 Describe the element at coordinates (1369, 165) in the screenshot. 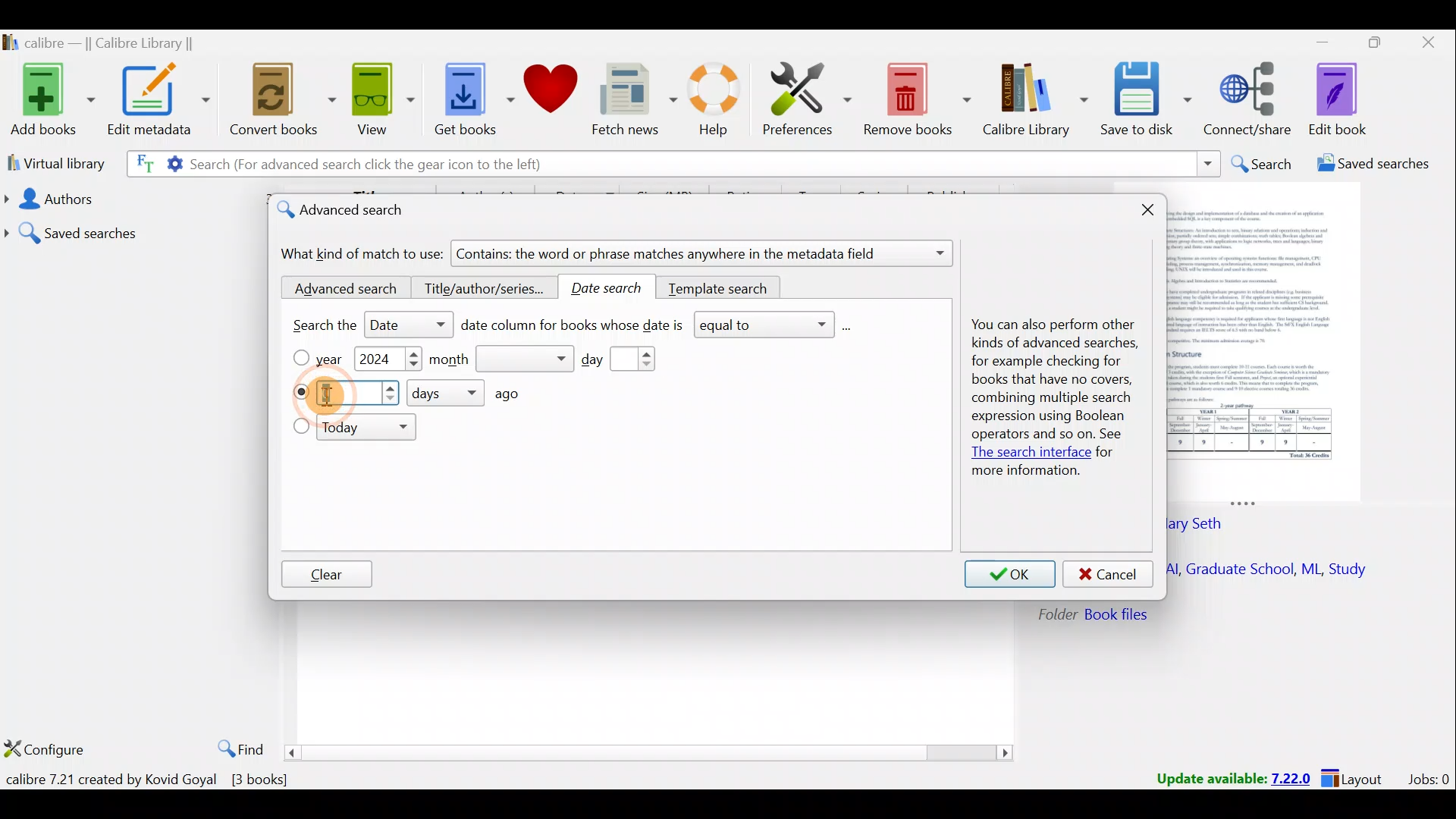

I see `Saved searches` at that location.